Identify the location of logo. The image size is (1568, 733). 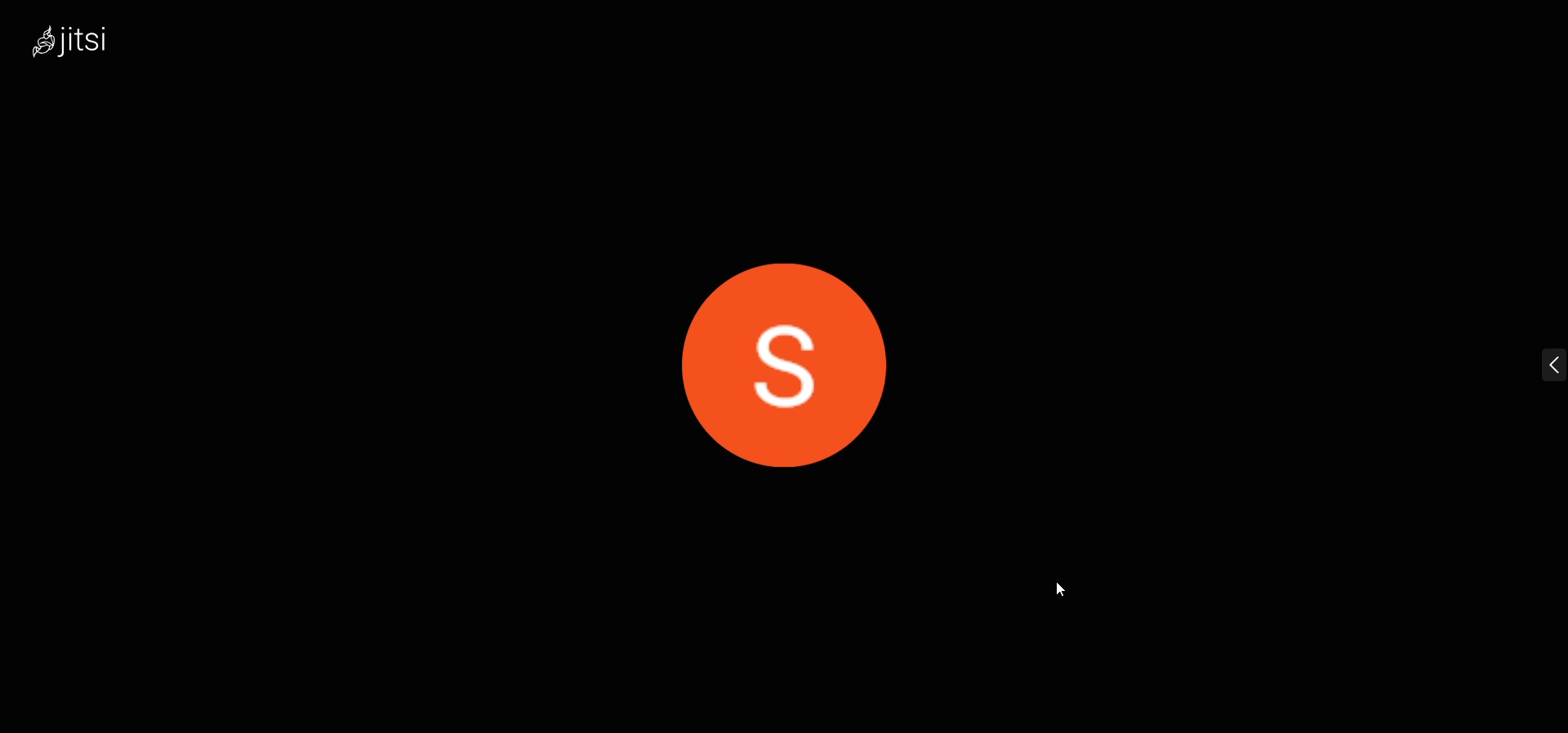
(92, 38).